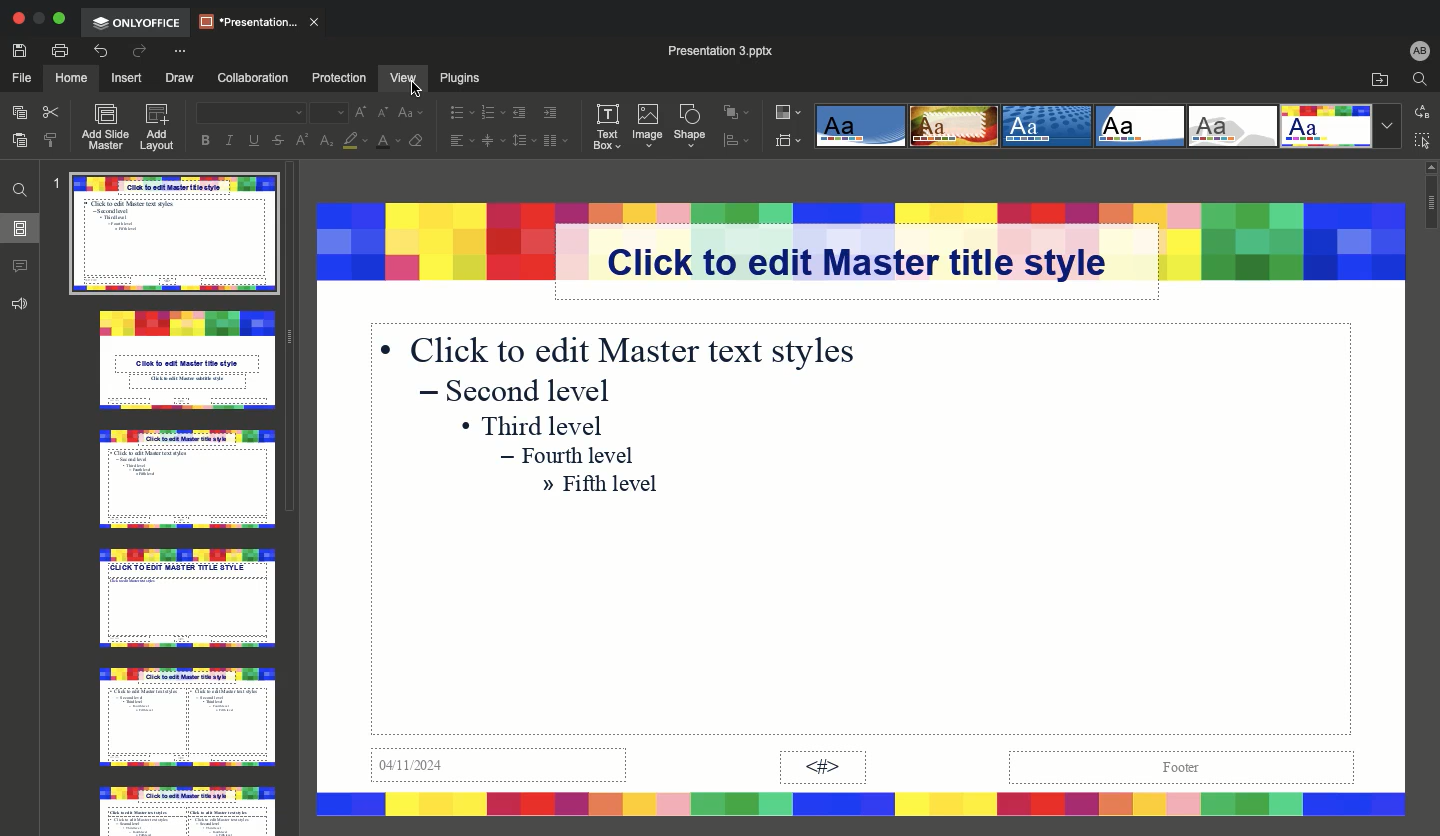 This screenshot has width=1440, height=836. Describe the element at coordinates (18, 20) in the screenshot. I see `Close` at that location.